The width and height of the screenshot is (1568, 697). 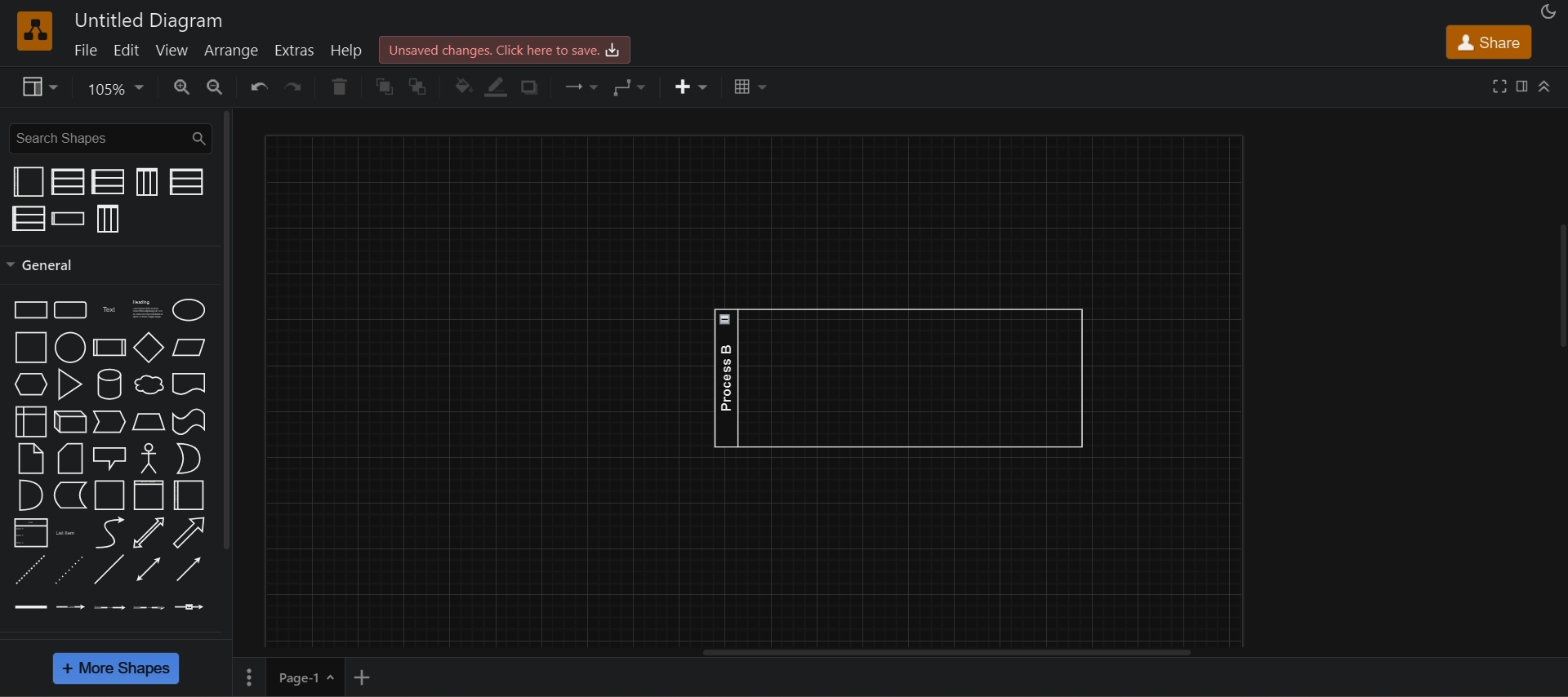 I want to click on help, so click(x=351, y=52).